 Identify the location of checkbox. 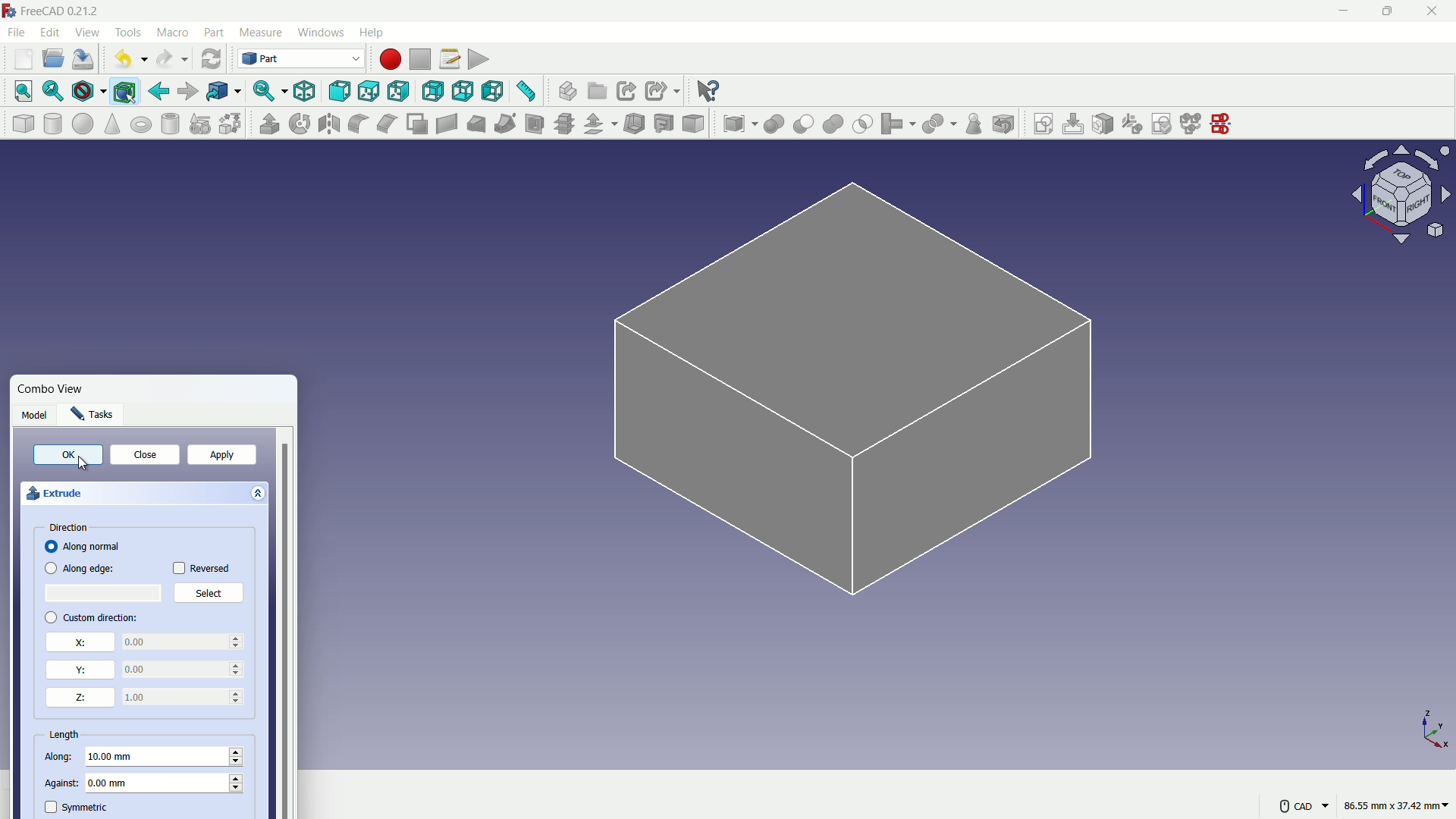
(49, 617).